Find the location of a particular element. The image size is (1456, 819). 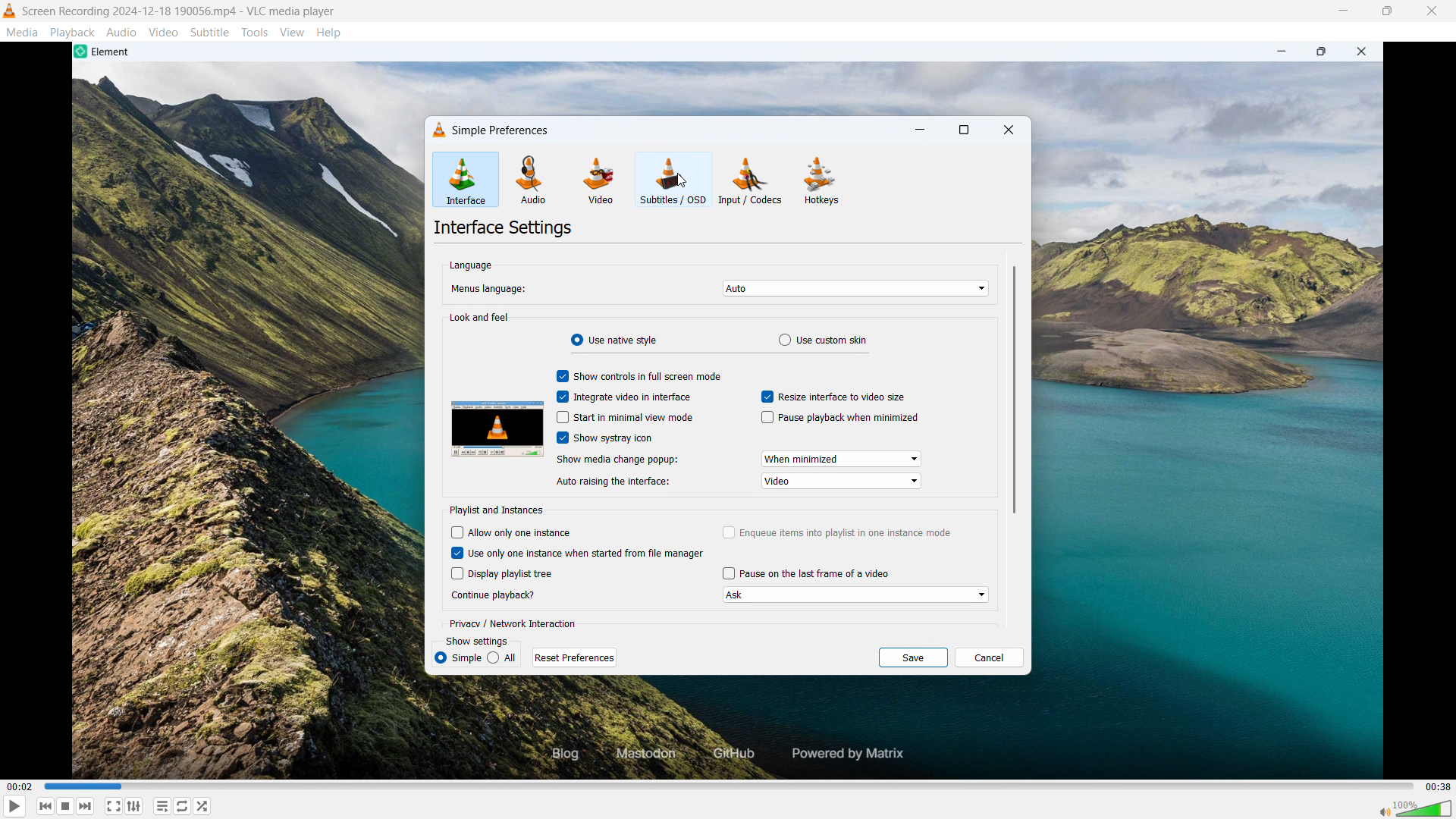

toggle playlist is located at coordinates (162, 805).